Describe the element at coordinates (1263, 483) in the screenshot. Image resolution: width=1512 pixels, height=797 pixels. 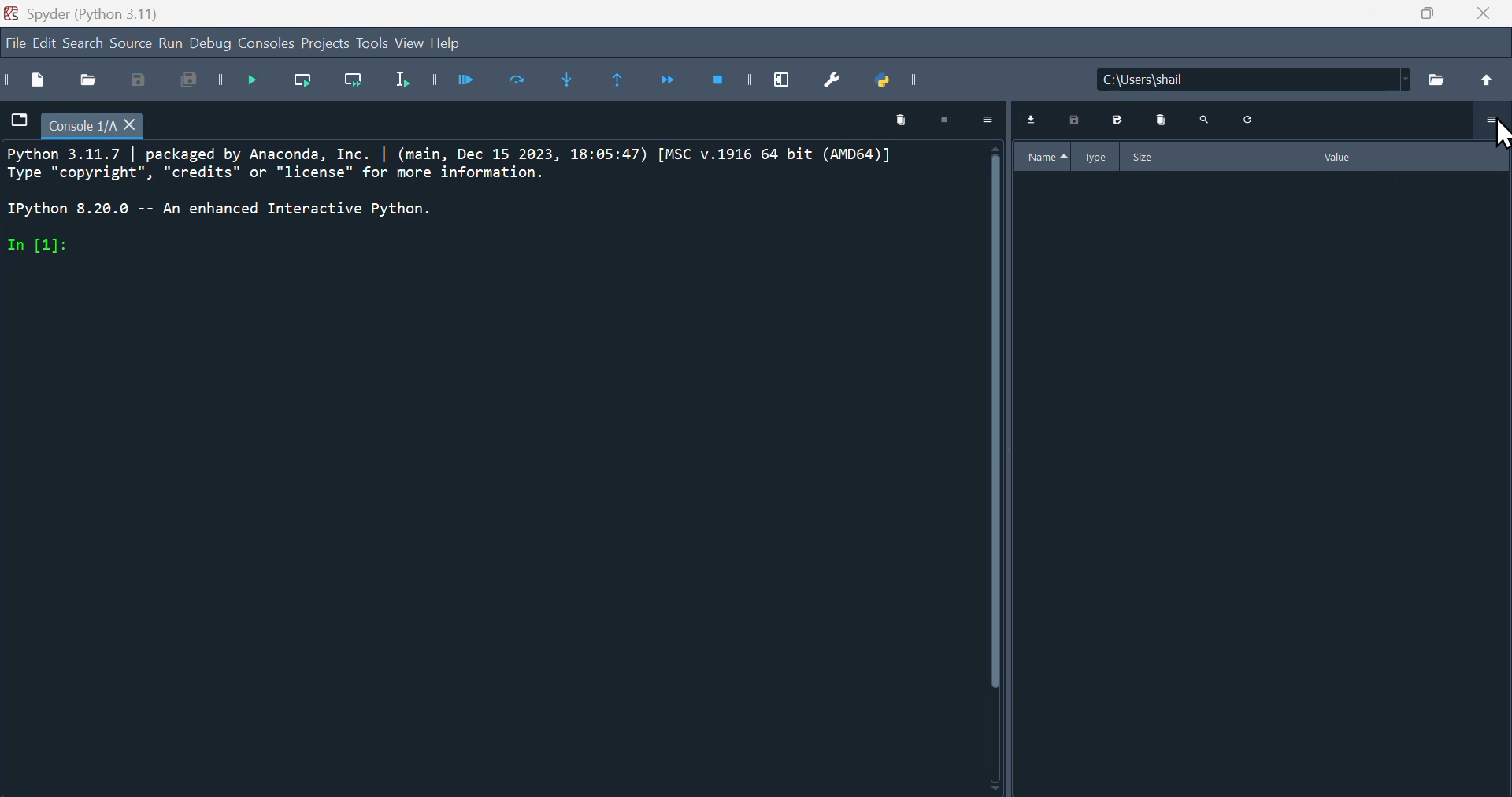
I see `Variable explorer` at that location.